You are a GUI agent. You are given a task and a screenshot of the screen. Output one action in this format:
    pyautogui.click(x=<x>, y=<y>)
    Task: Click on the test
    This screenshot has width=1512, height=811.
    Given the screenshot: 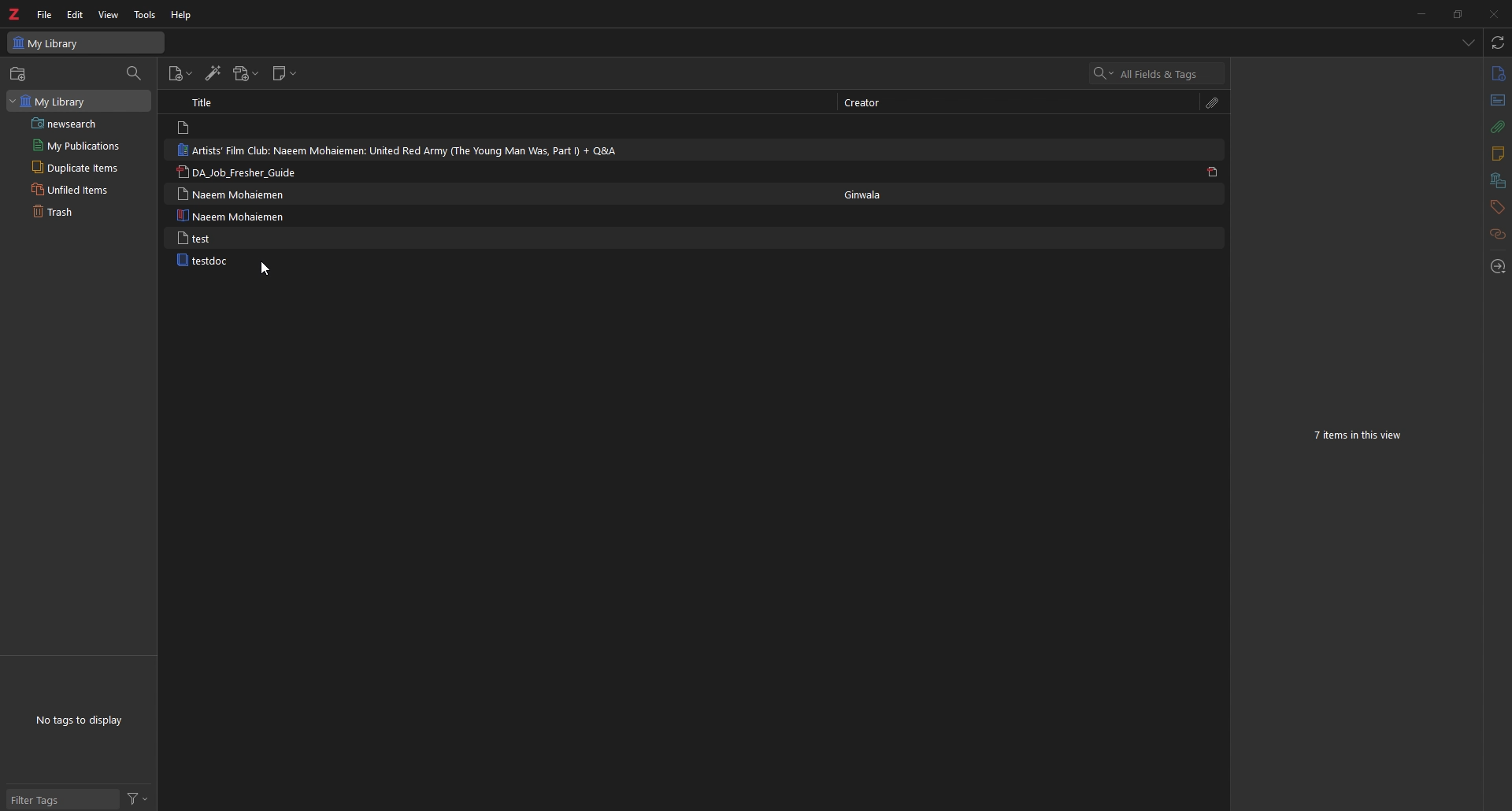 What is the action you would take?
    pyautogui.click(x=198, y=238)
    